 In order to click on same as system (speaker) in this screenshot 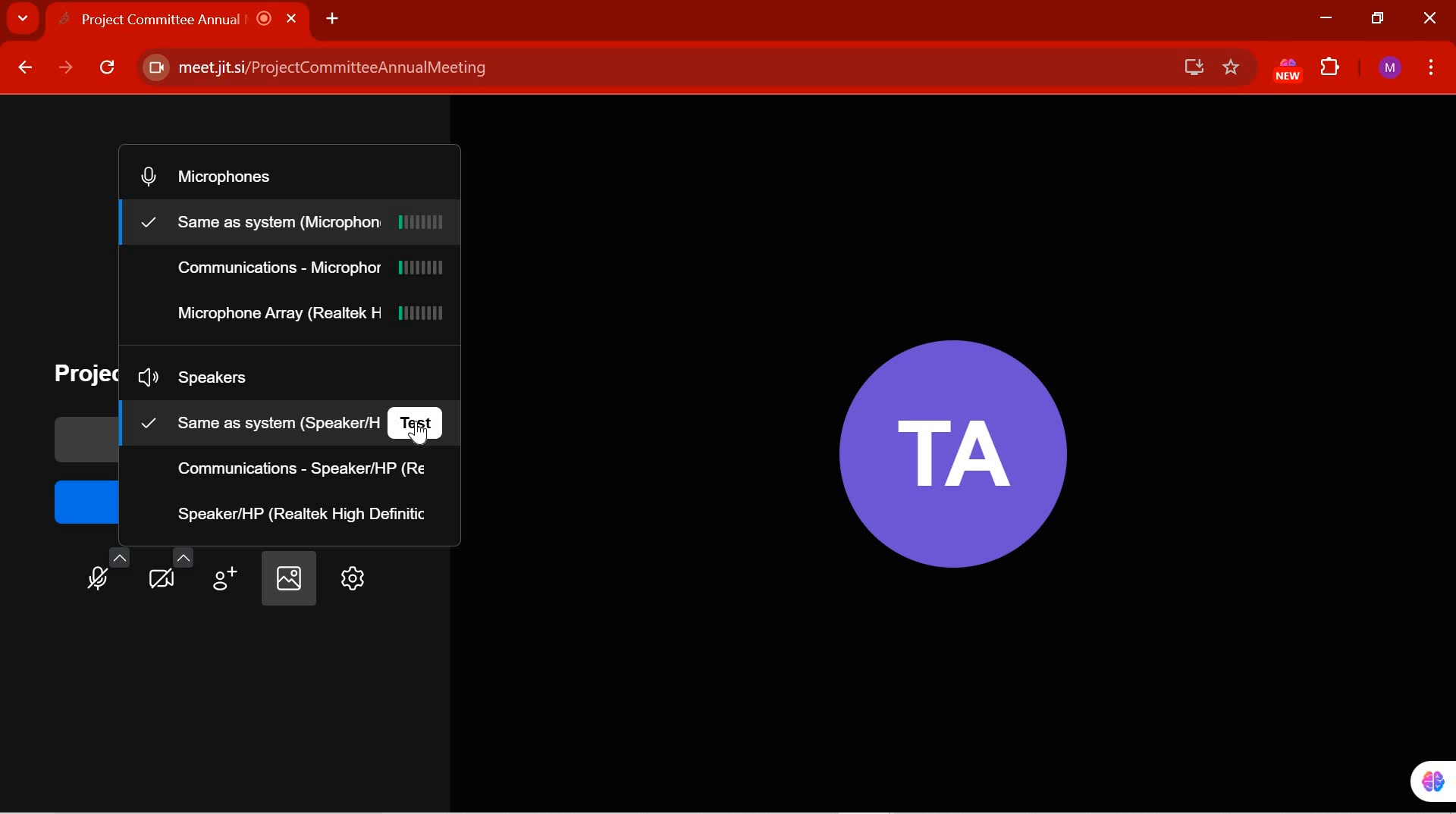, I will do `click(255, 421)`.